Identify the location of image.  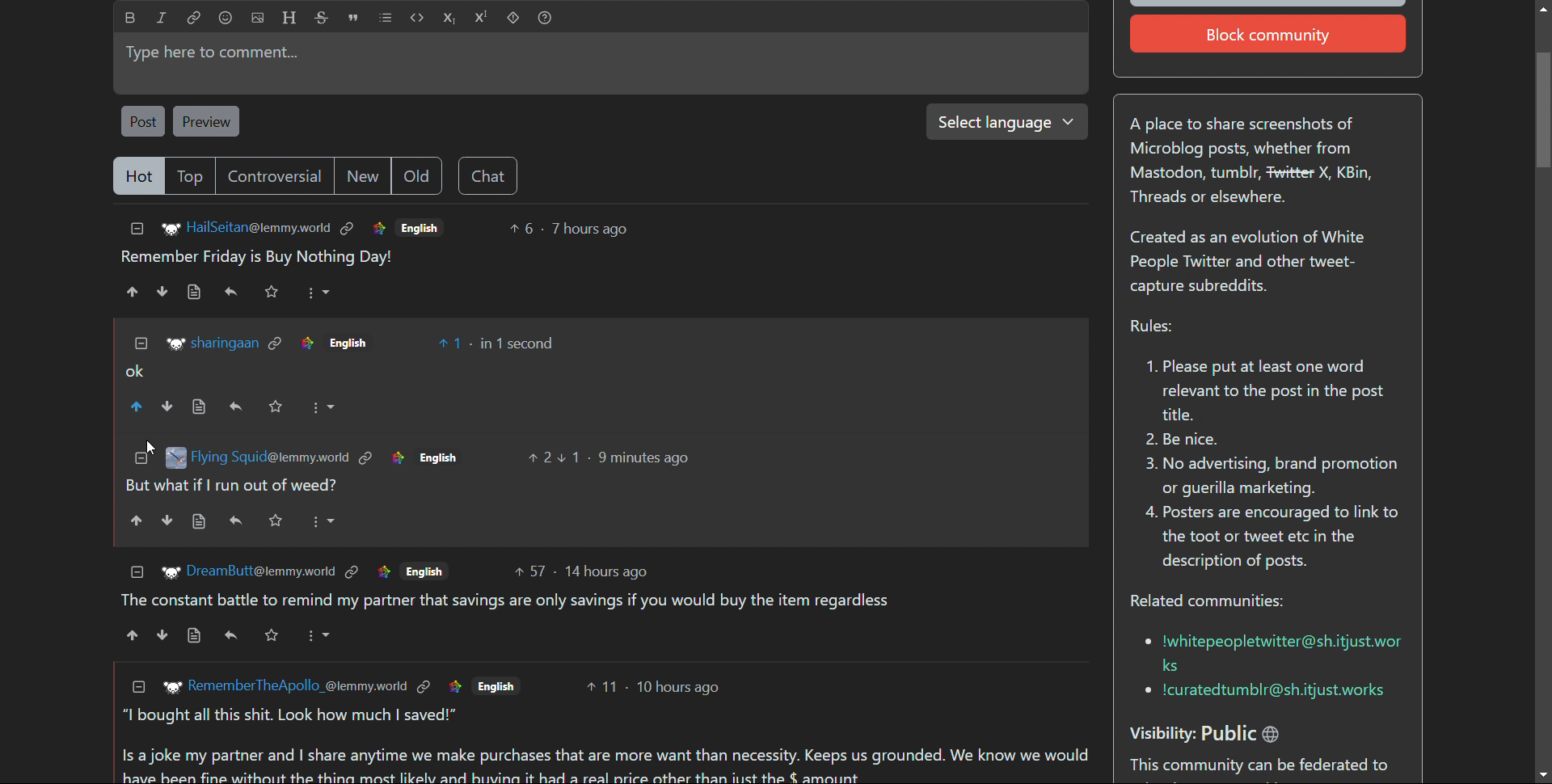
(174, 343).